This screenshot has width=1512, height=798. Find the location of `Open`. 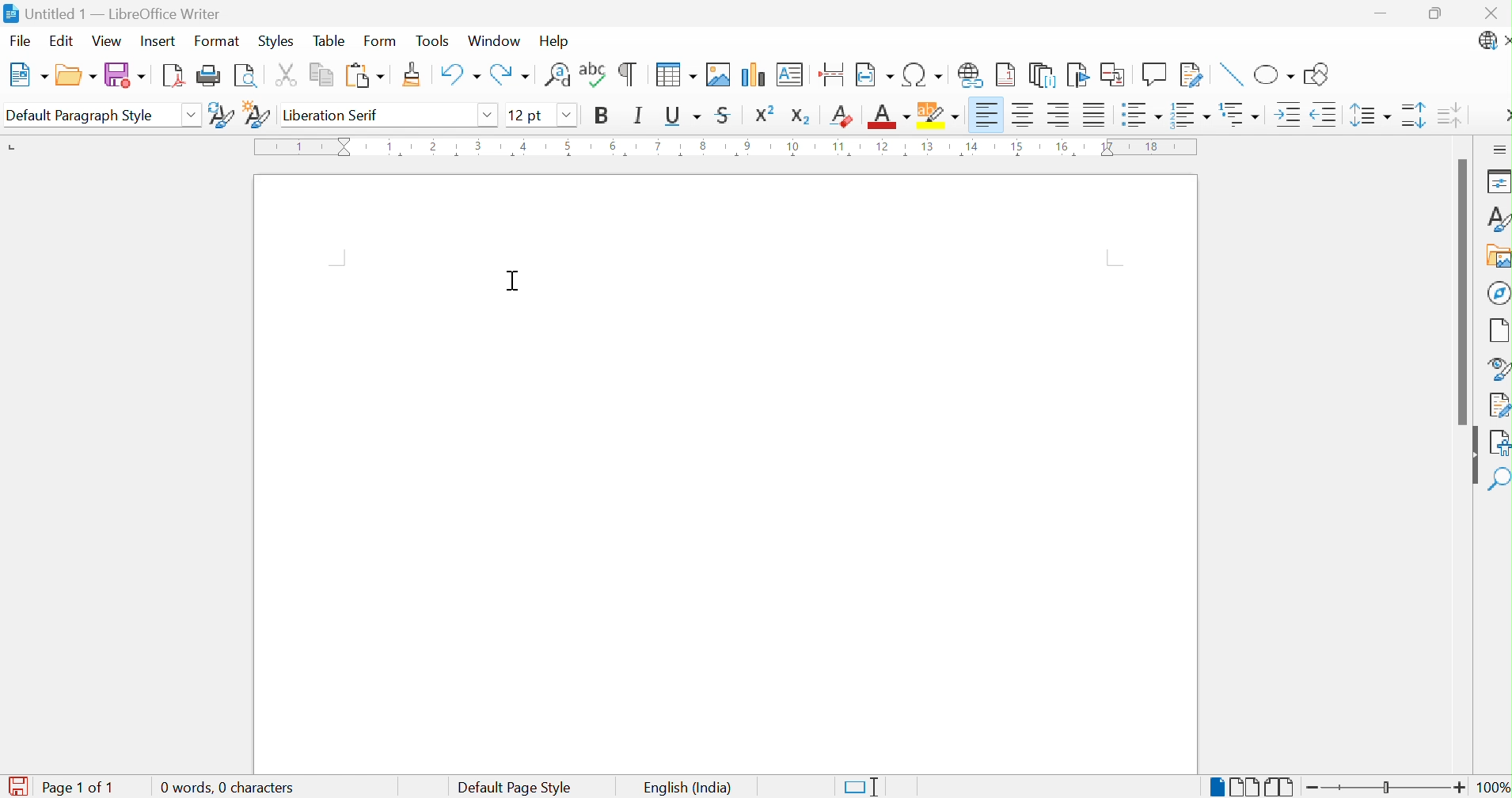

Open is located at coordinates (77, 74).